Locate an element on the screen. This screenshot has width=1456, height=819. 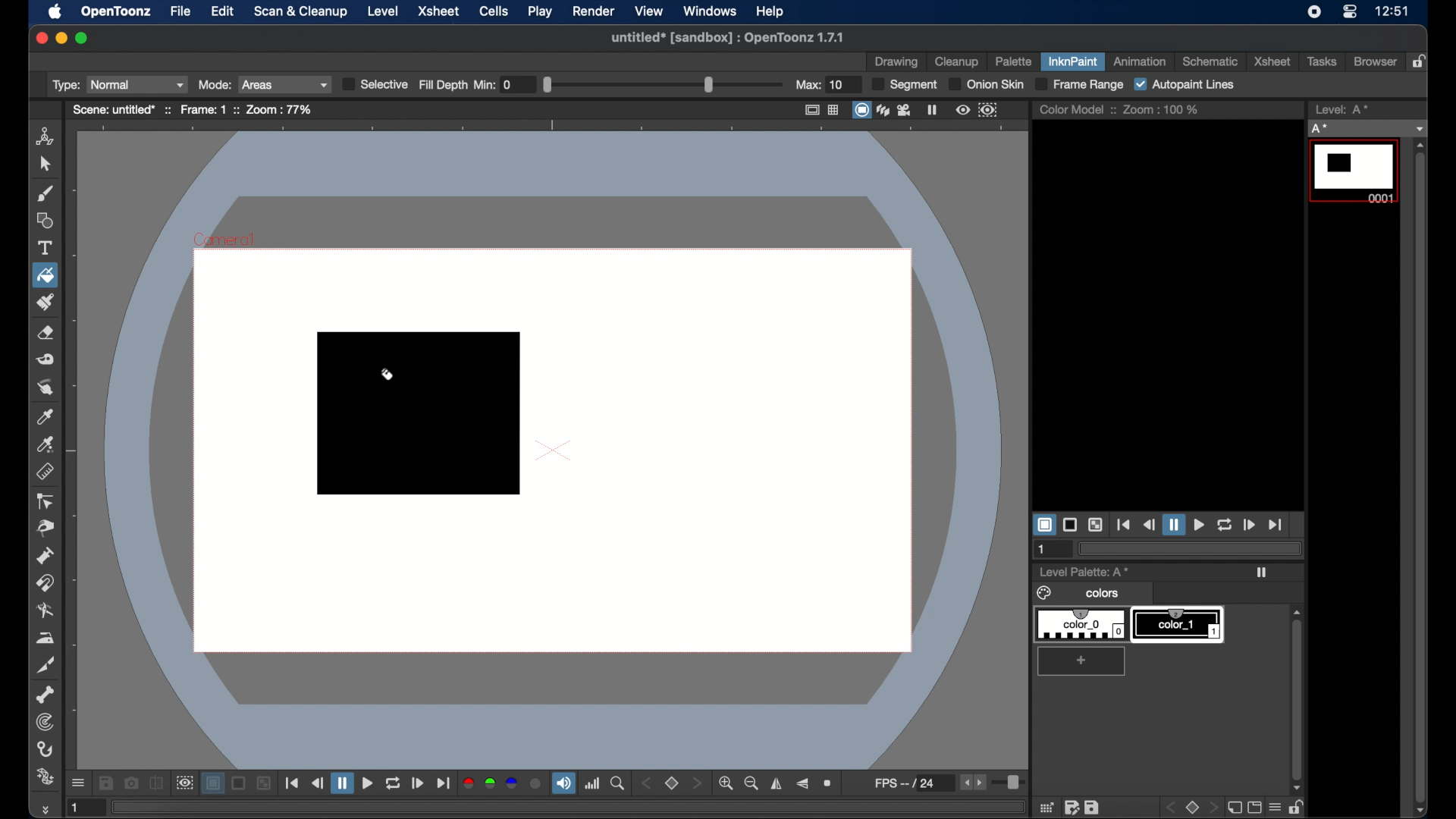
colors is located at coordinates (1080, 594).